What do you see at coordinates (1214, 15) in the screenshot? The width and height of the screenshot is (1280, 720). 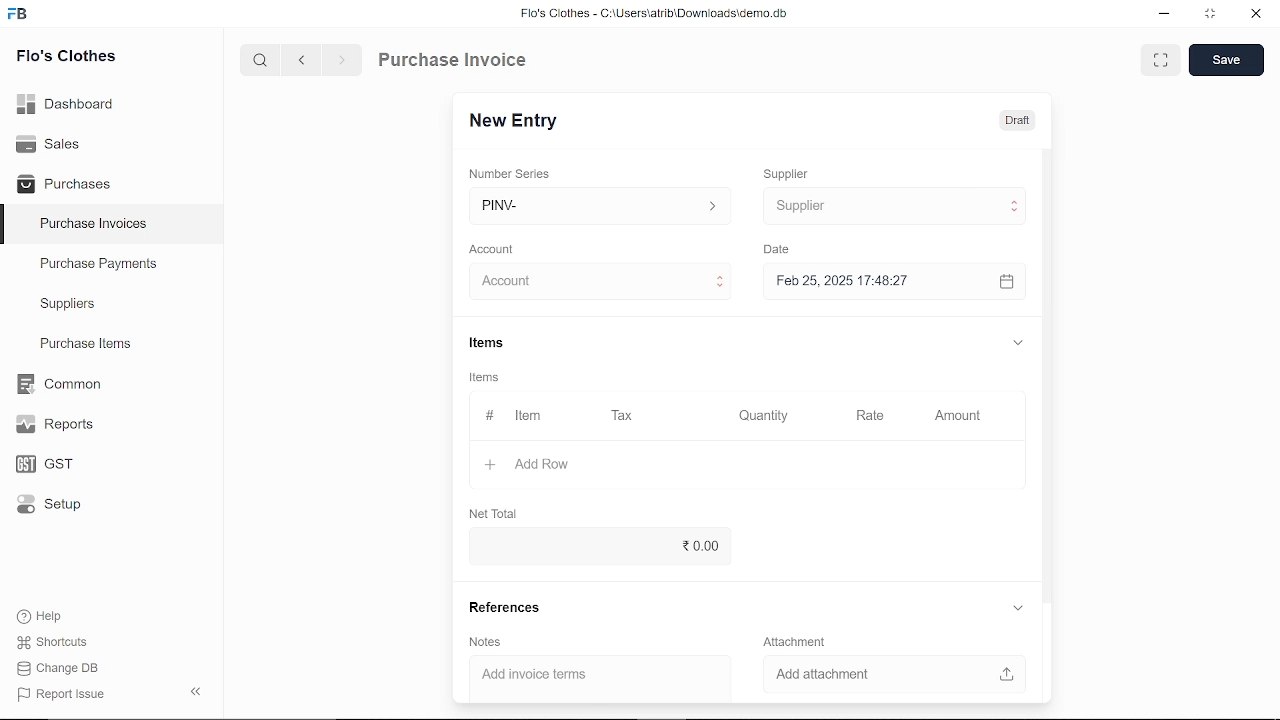 I see `restore down` at bounding box center [1214, 15].